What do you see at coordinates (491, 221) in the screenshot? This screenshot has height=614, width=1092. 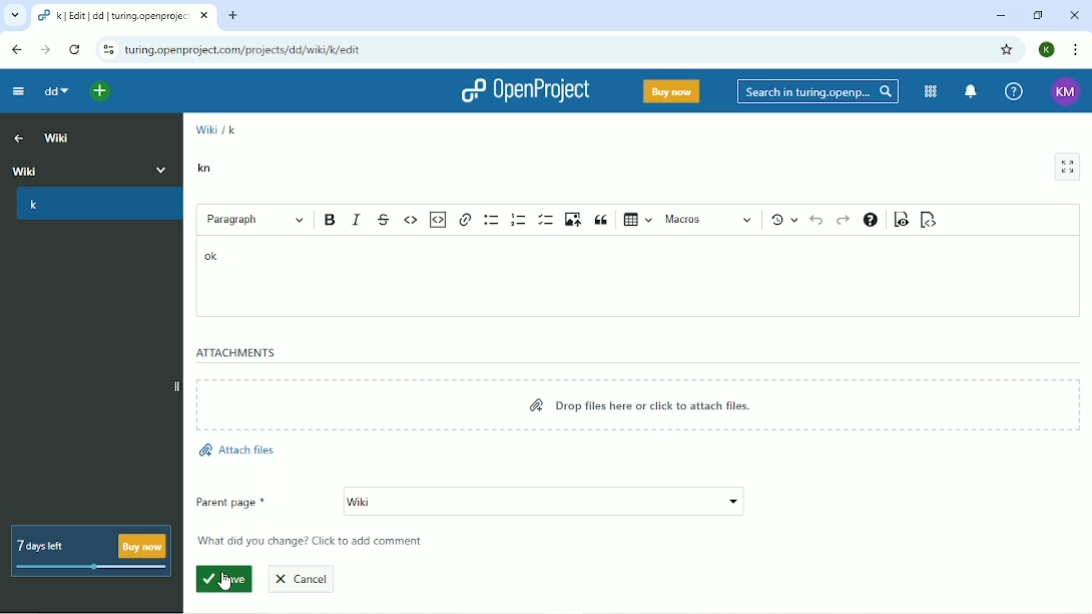 I see `Bulleted list` at bounding box center [491, 221].